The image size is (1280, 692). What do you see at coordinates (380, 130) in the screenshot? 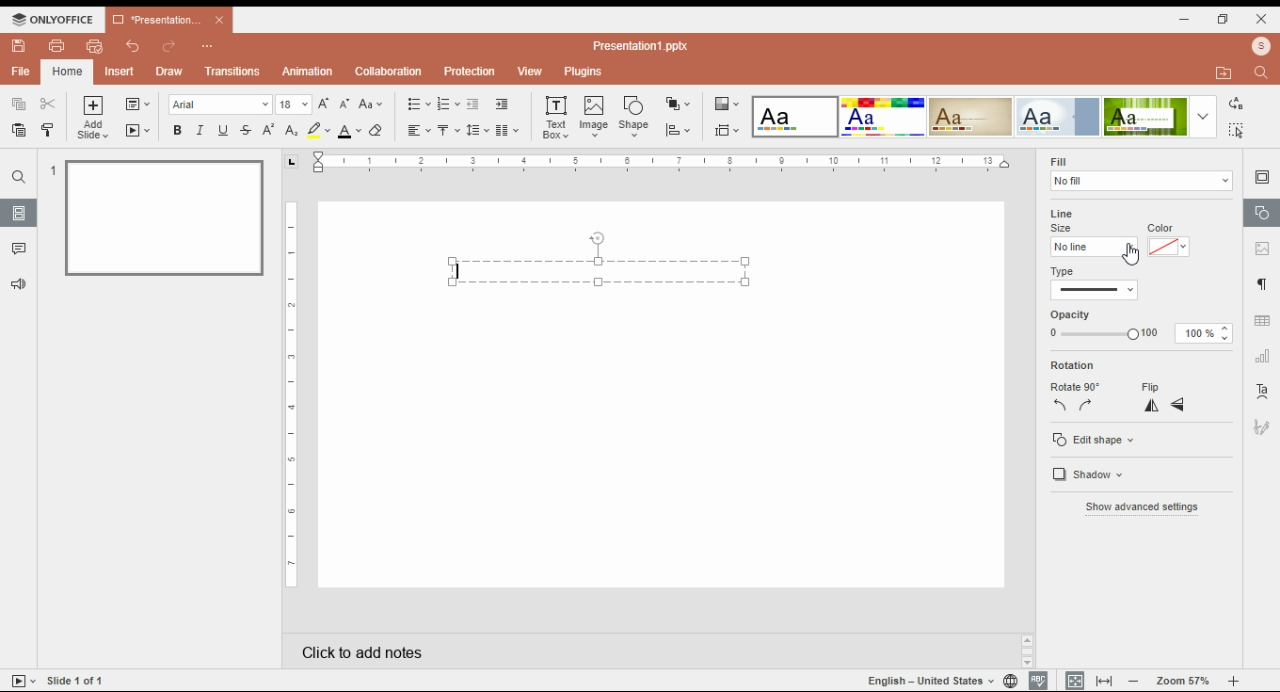
I see `clear` at bounding box center [380, 130].